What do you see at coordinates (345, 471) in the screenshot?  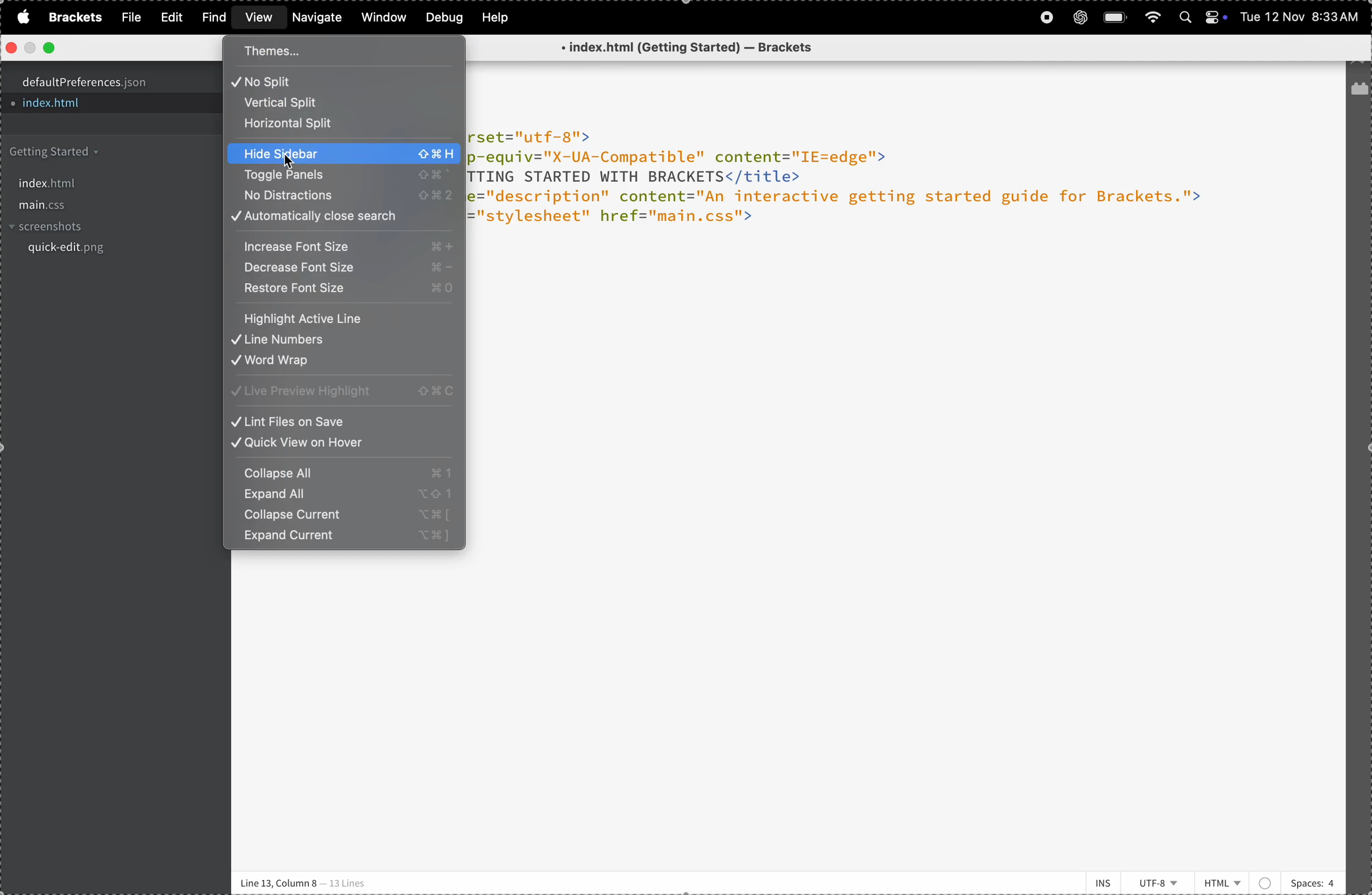 I see `collapse all` at bounding box center [345, 471].